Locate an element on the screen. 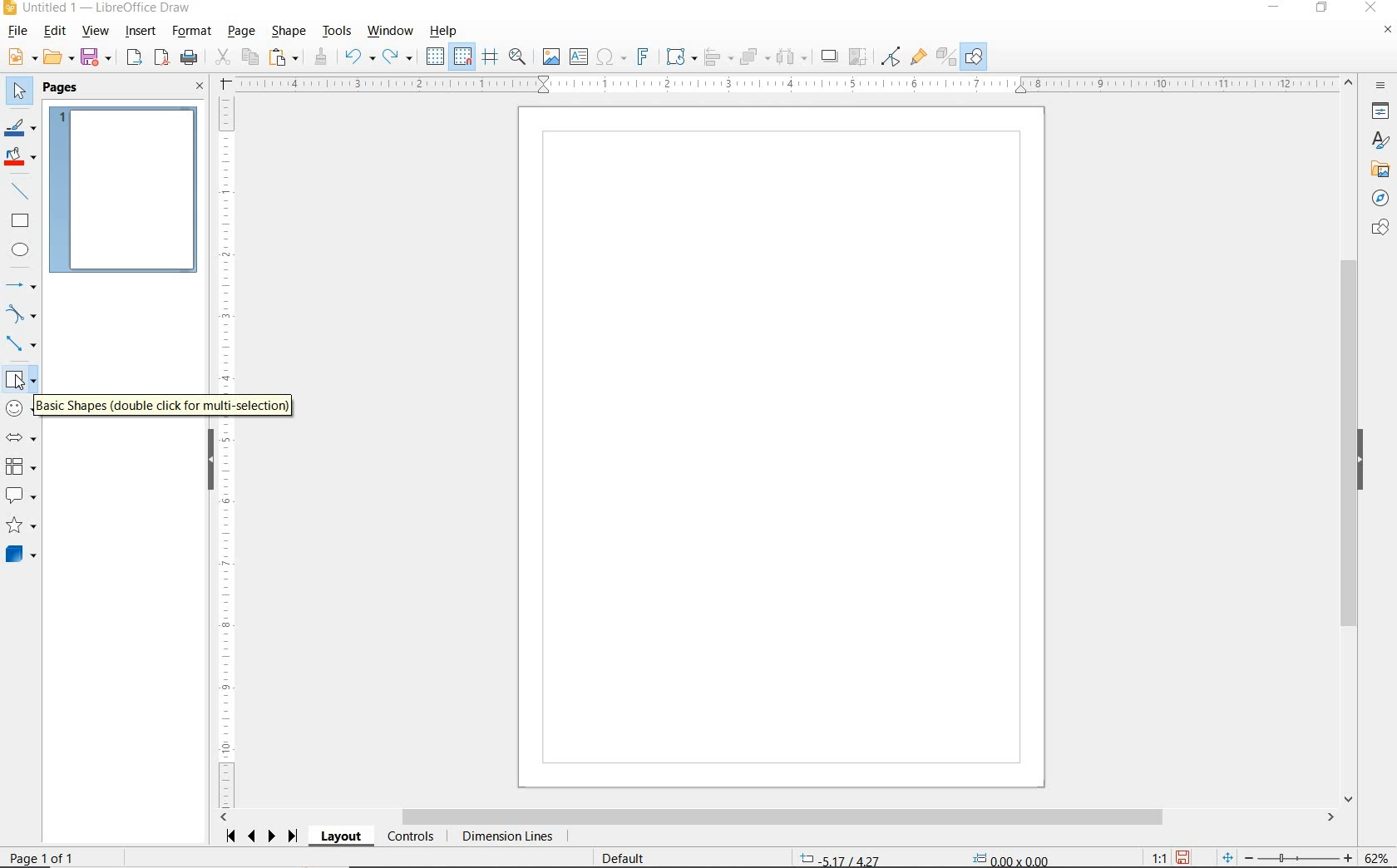 Image resolution: width=1397 pixels, height=868 pixels. ZOOM & PAN is located at coordinates (518, 57).